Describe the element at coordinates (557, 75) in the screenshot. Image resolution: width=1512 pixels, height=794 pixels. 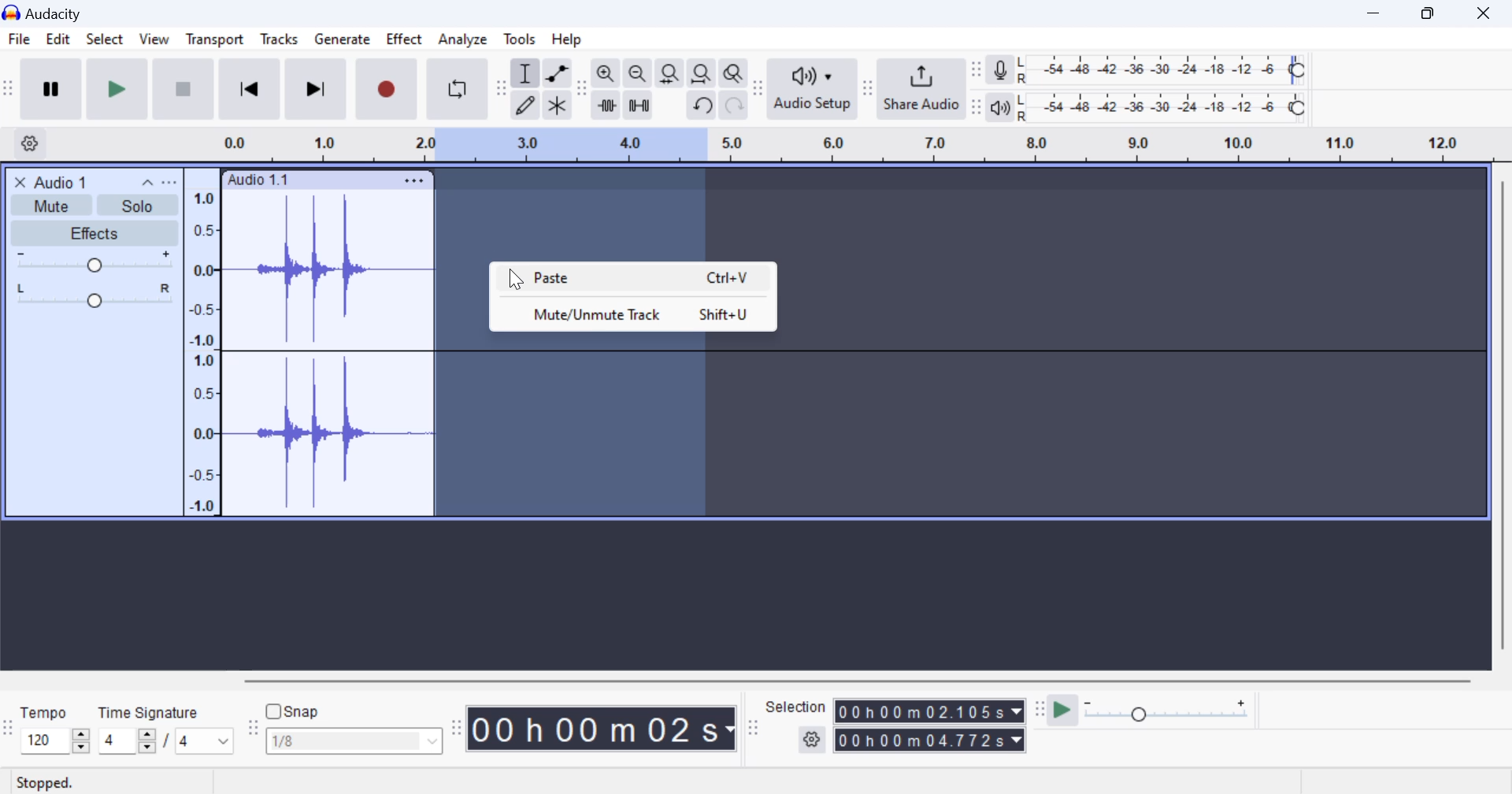
I see `envelop tool` at that location.